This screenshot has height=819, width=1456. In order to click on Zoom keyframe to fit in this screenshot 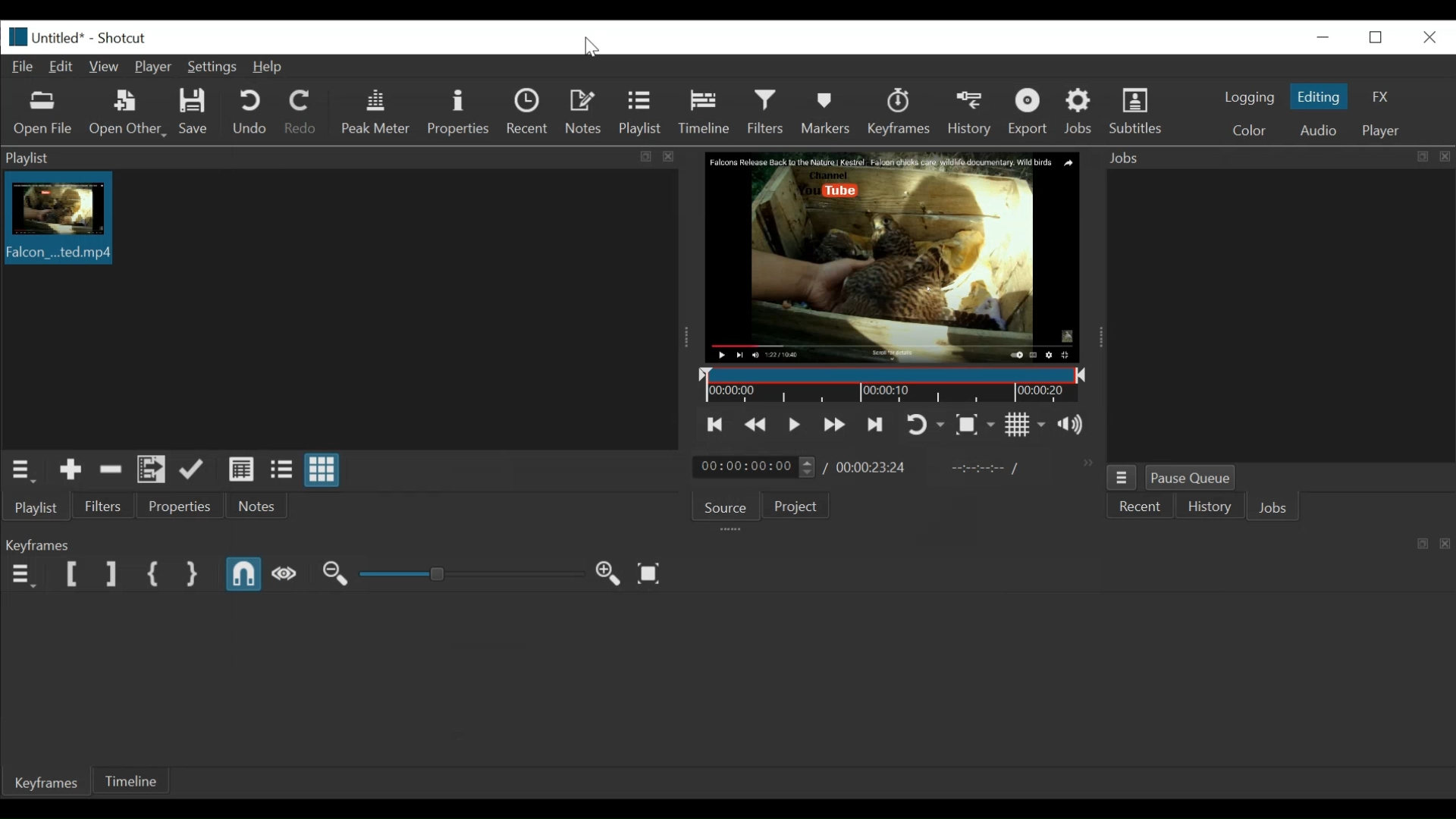, I will do `click(649, 573)`.